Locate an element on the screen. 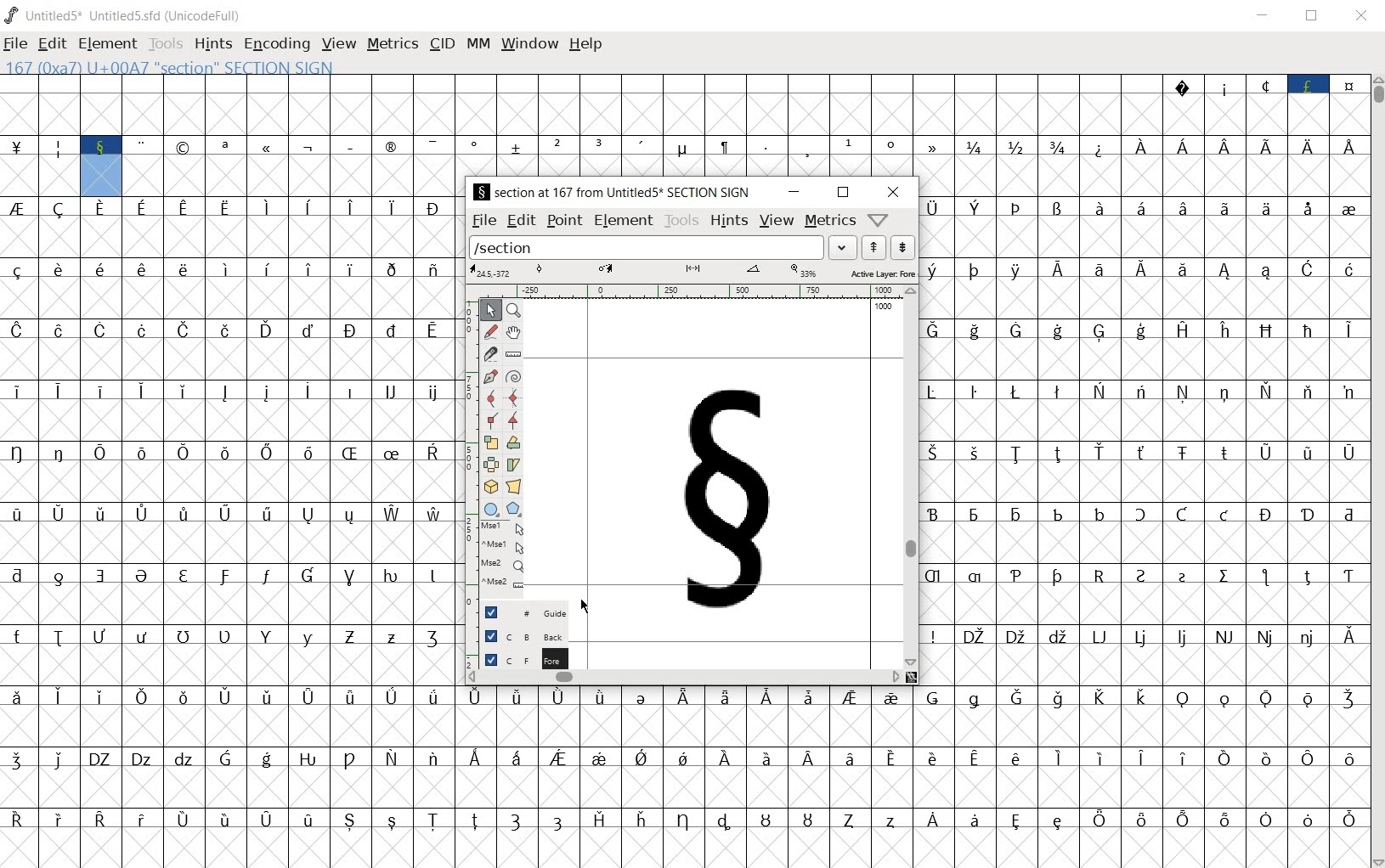  background layer is located at coordinates (526, 635).